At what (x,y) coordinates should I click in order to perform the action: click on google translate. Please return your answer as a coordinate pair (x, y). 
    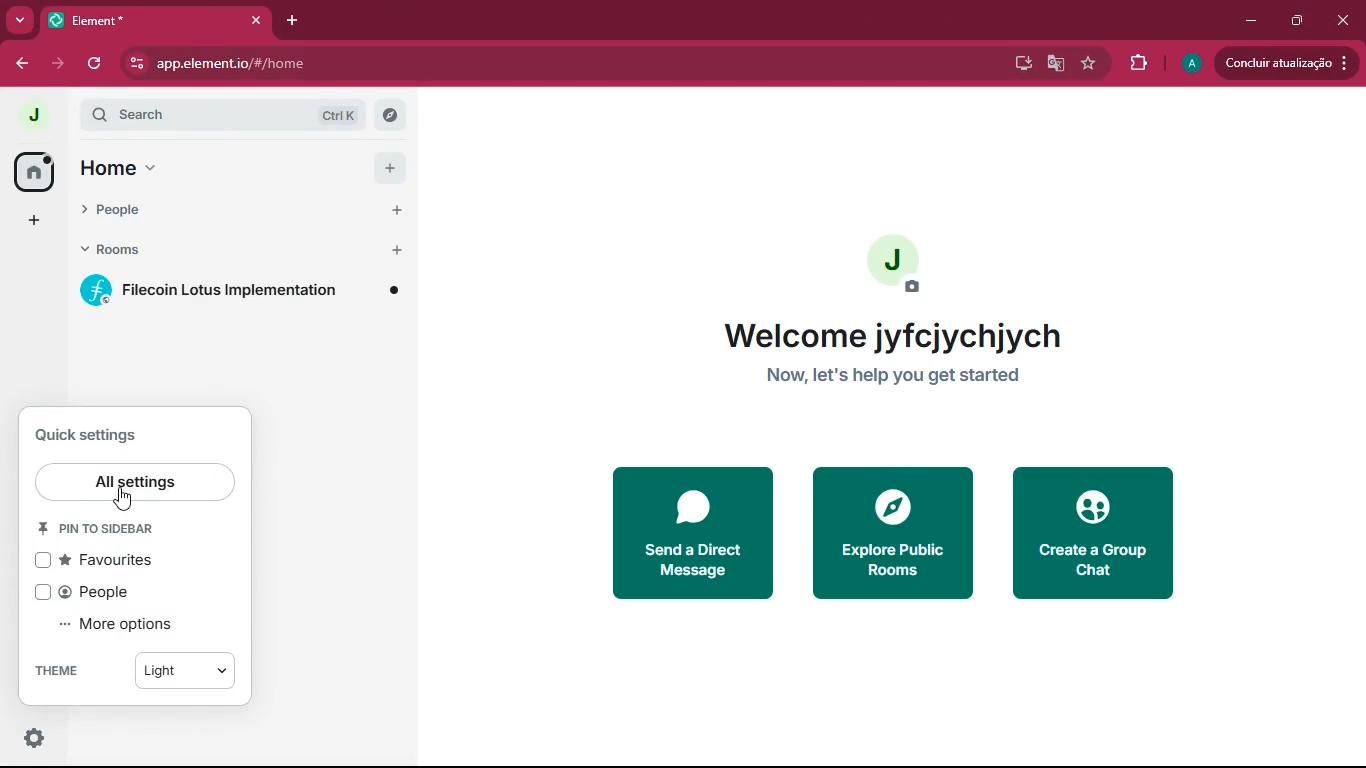
    Looking at the image, I should click on (1057, 65).